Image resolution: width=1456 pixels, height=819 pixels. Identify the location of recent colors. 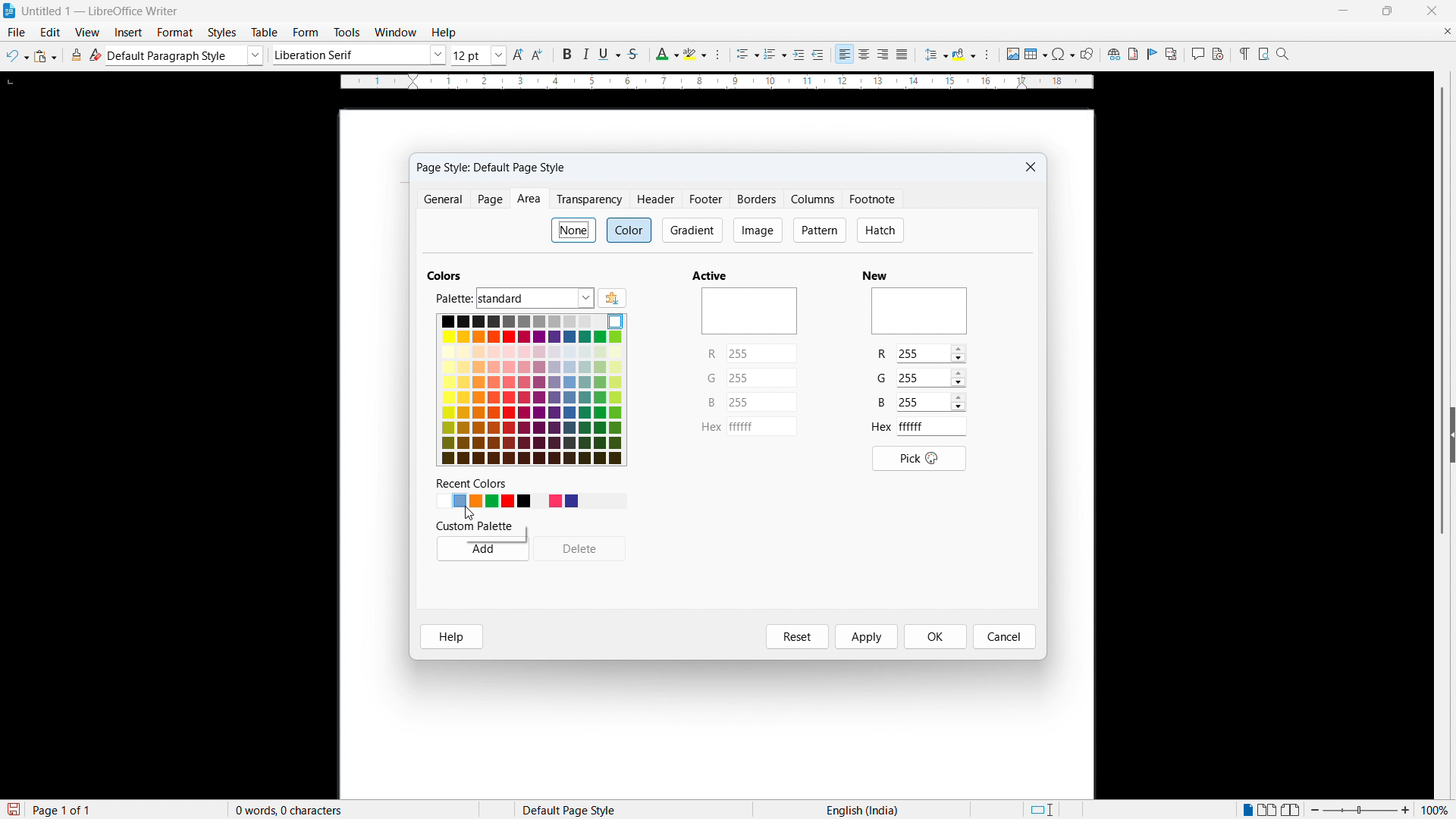
(468, 482).